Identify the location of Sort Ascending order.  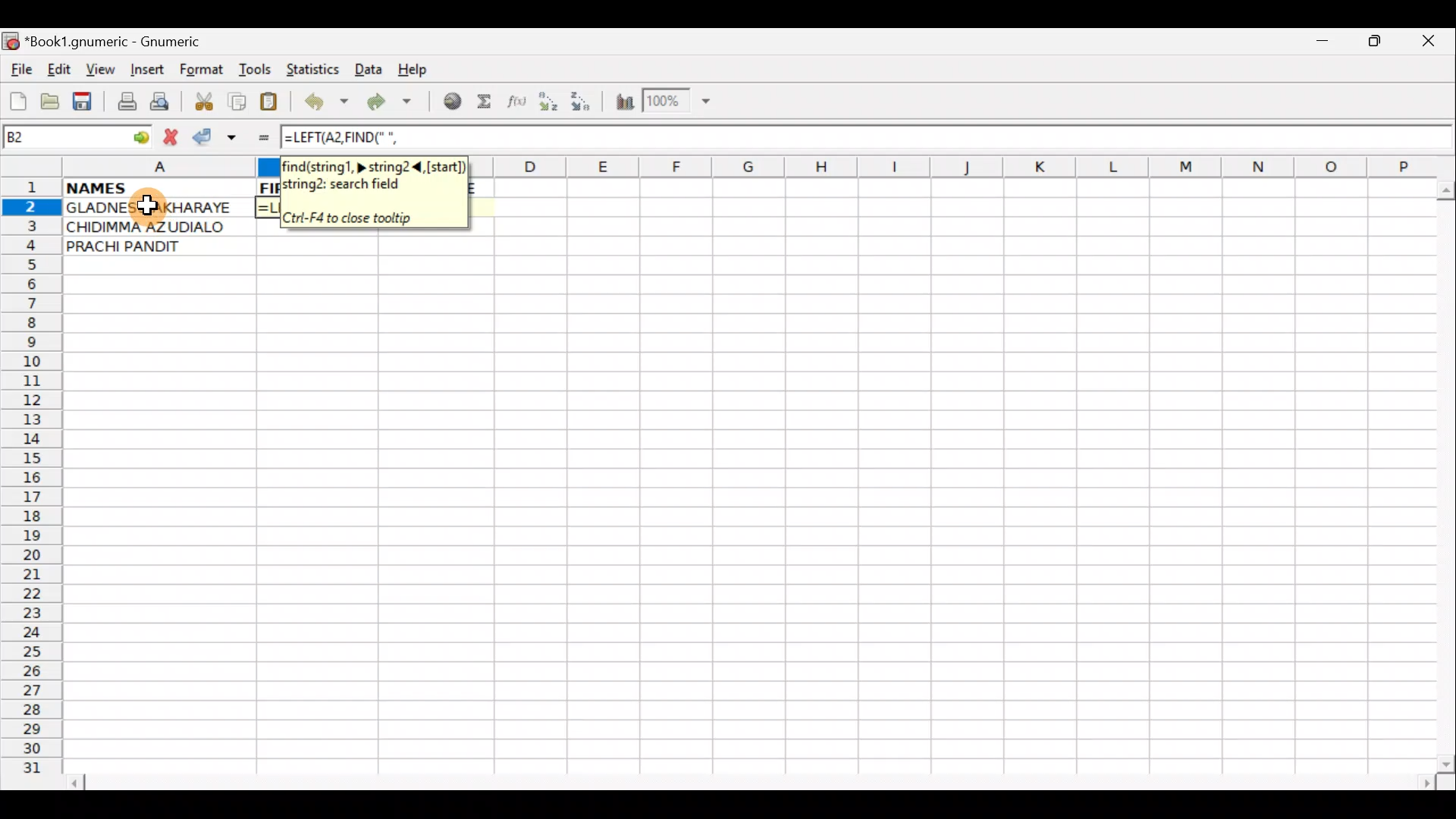
(553, 105).